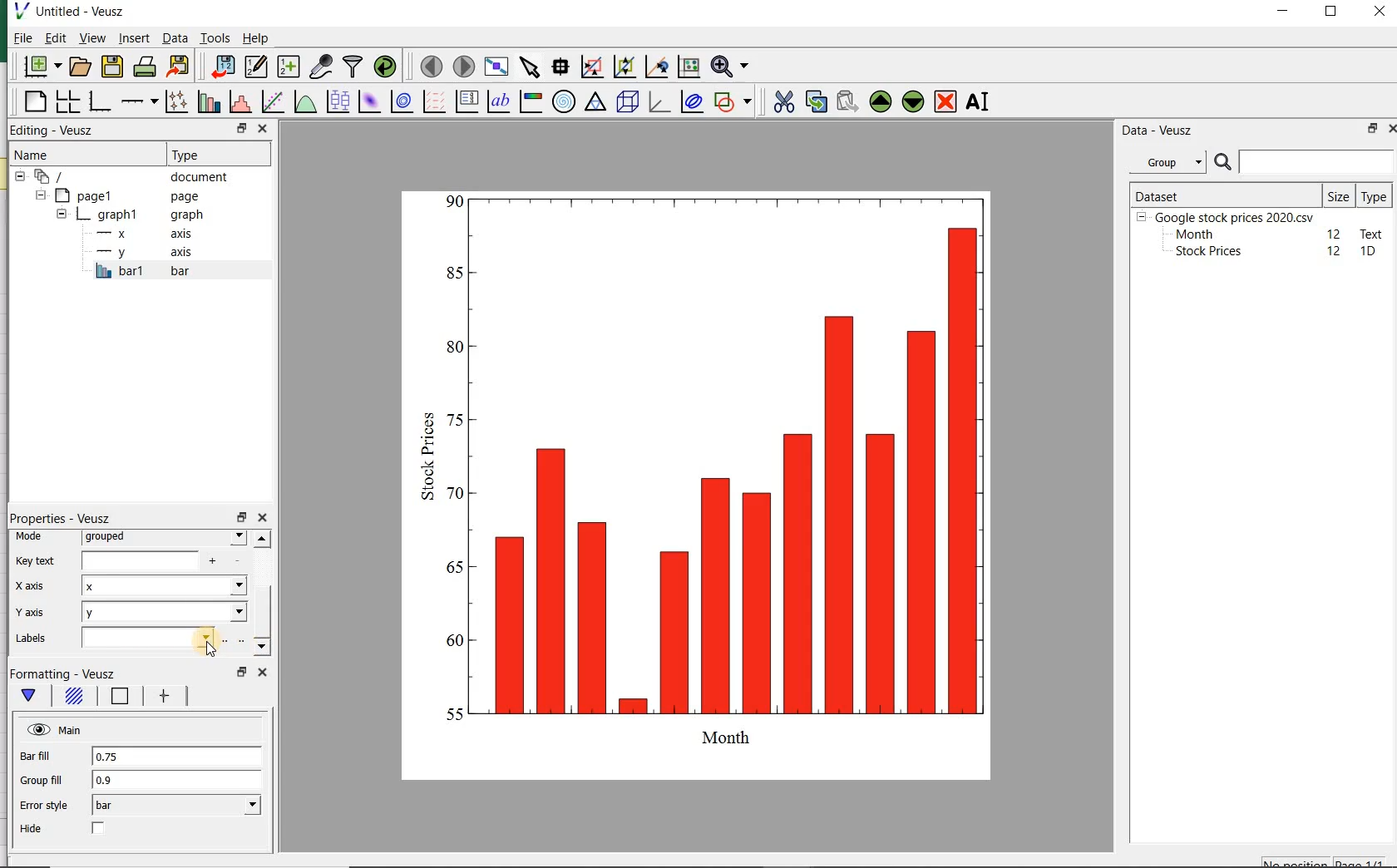 The height and width of the screenshot is (868, 1397). Describe the element at coordinates (399, 103) in the screenshot. I see `plot a 2d dataset as contours` at that location.